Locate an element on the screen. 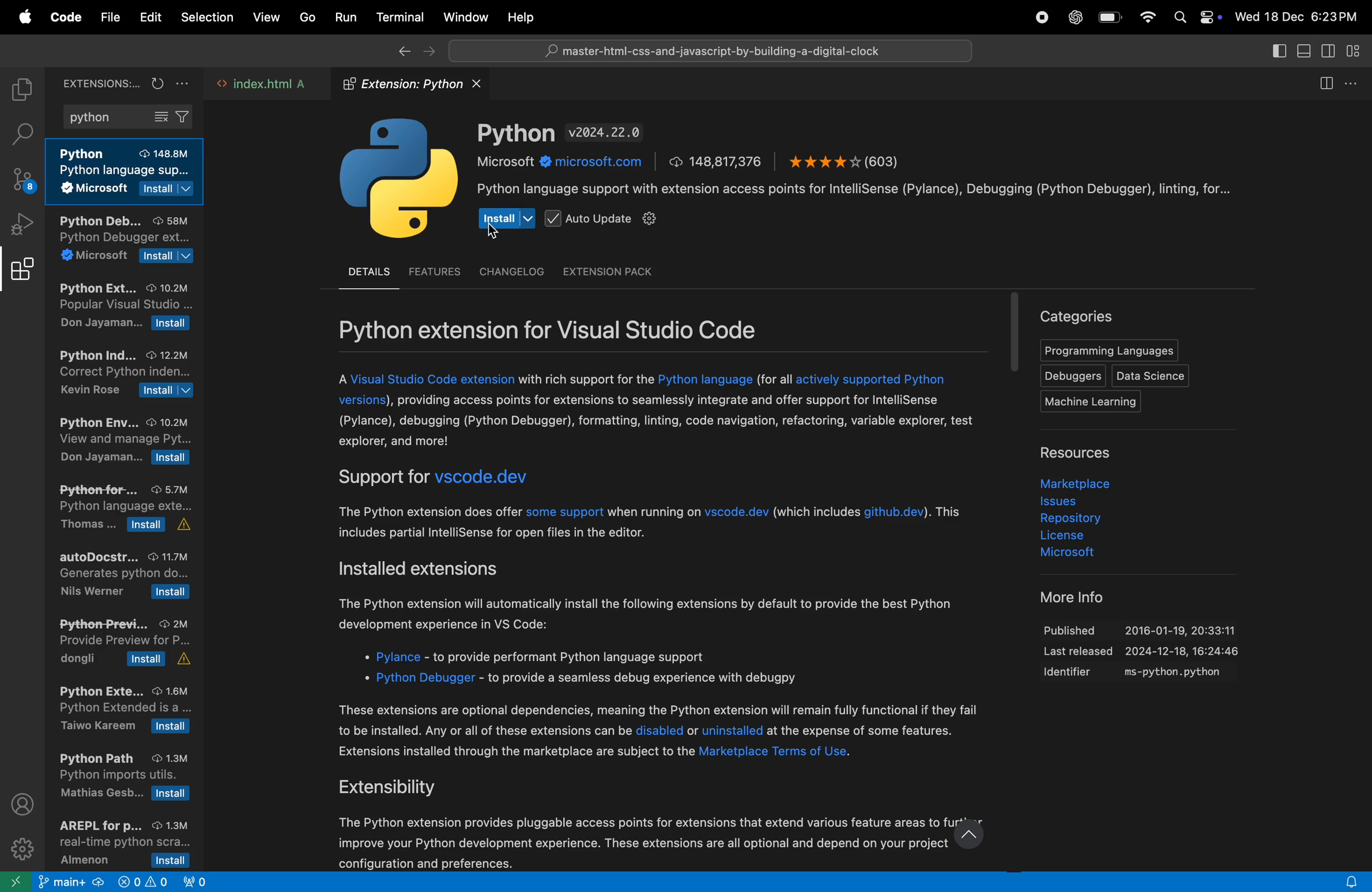 The height and width of the screenshot is (892, 1372). respository is located at coordinates (1077, 520).